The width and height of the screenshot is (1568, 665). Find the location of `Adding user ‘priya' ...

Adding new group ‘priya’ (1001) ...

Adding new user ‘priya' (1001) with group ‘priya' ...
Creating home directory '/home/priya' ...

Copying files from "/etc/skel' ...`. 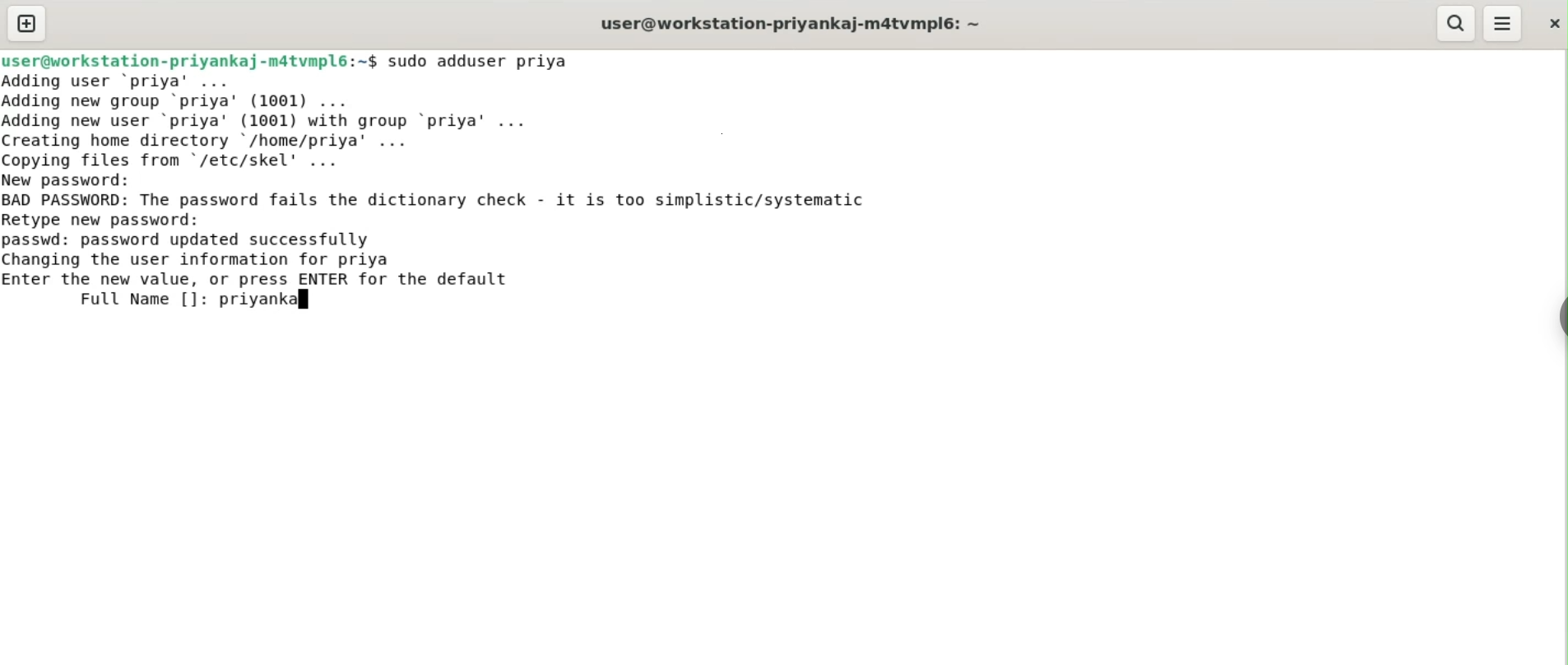

Adding user ‘priya' ...

Adding new group ‘priya’ (1001) ...

Adding new user ‘priya' (1001) with group ‘priya' ...
Creating home directory '/home/priya' ...

Copying files from "/etc/skel' ... is located at coordinates (274, 121).